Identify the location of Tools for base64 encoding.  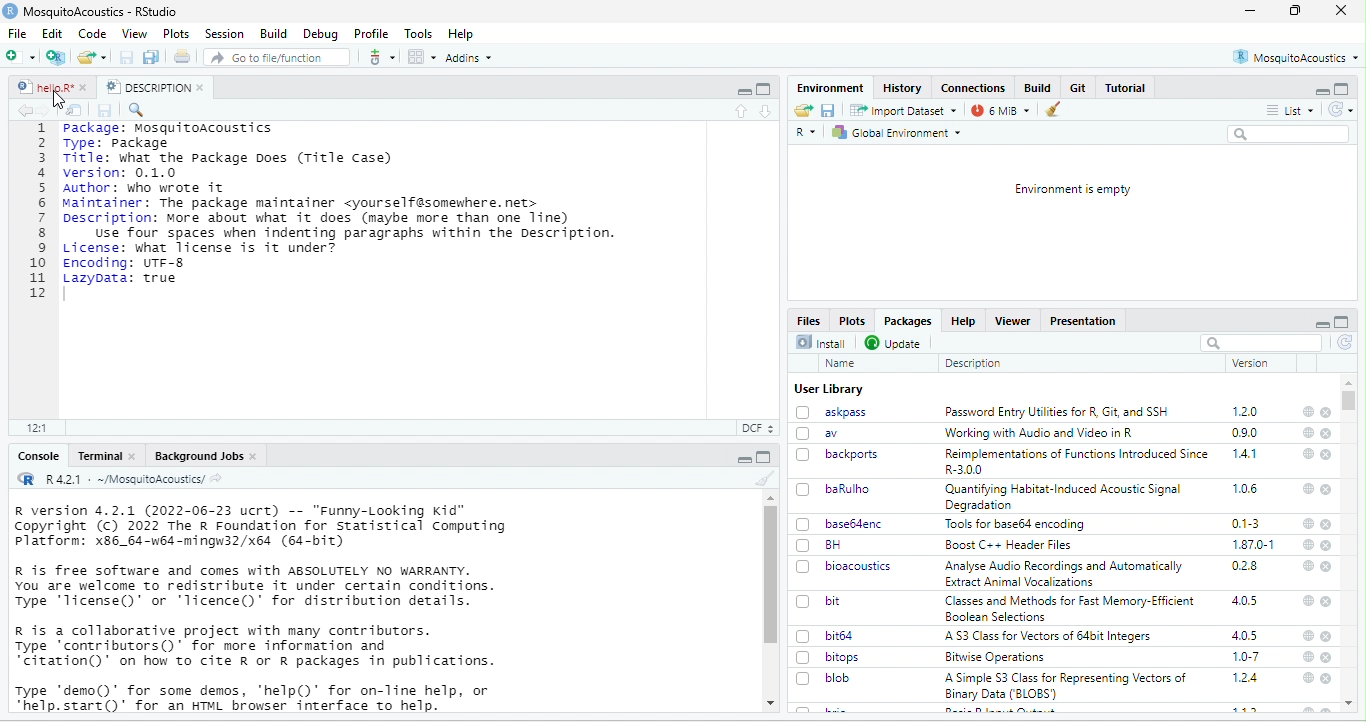
(1019, 525).